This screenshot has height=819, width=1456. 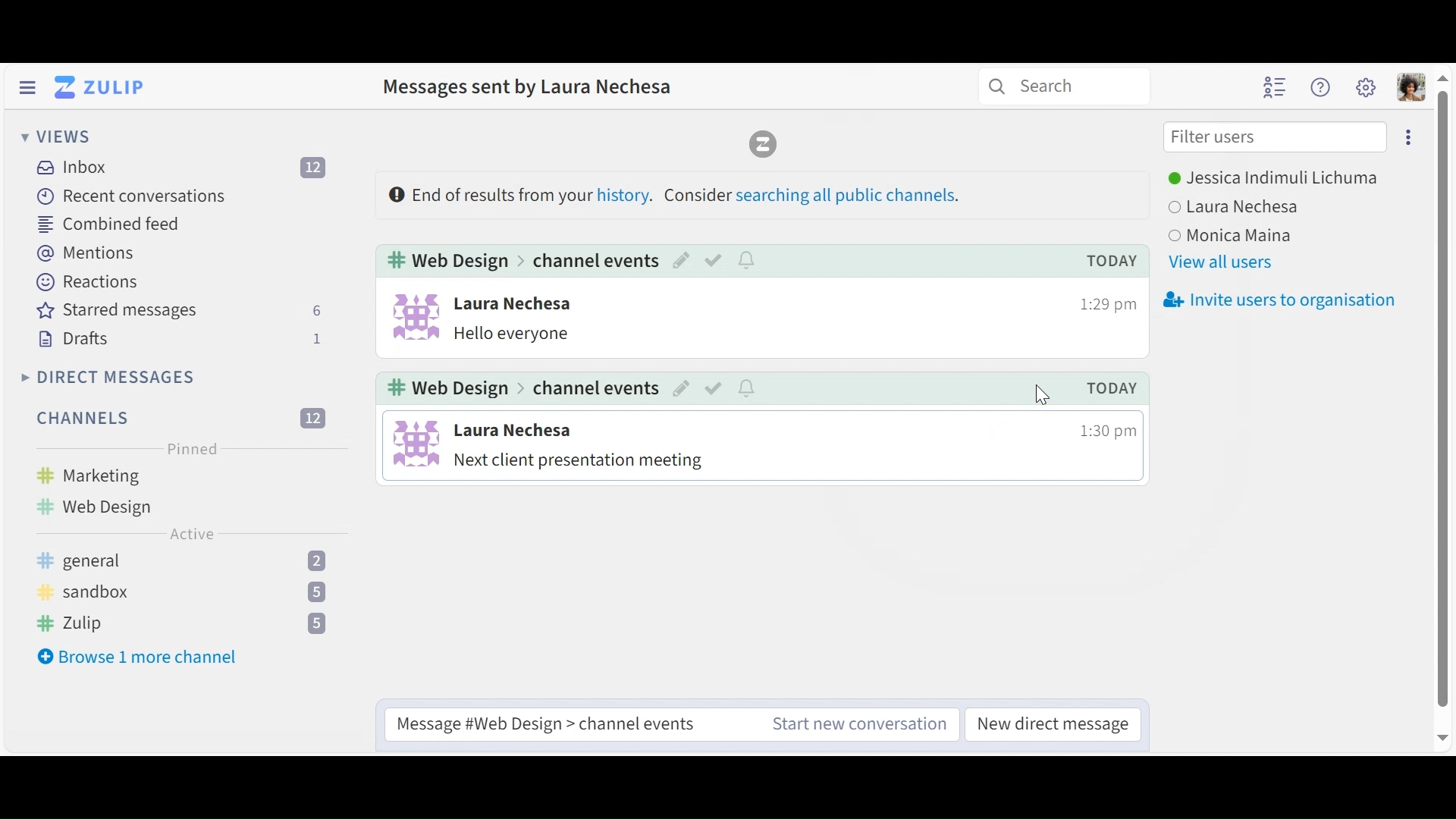 I want to click on web design, so click(x=108, y=506).